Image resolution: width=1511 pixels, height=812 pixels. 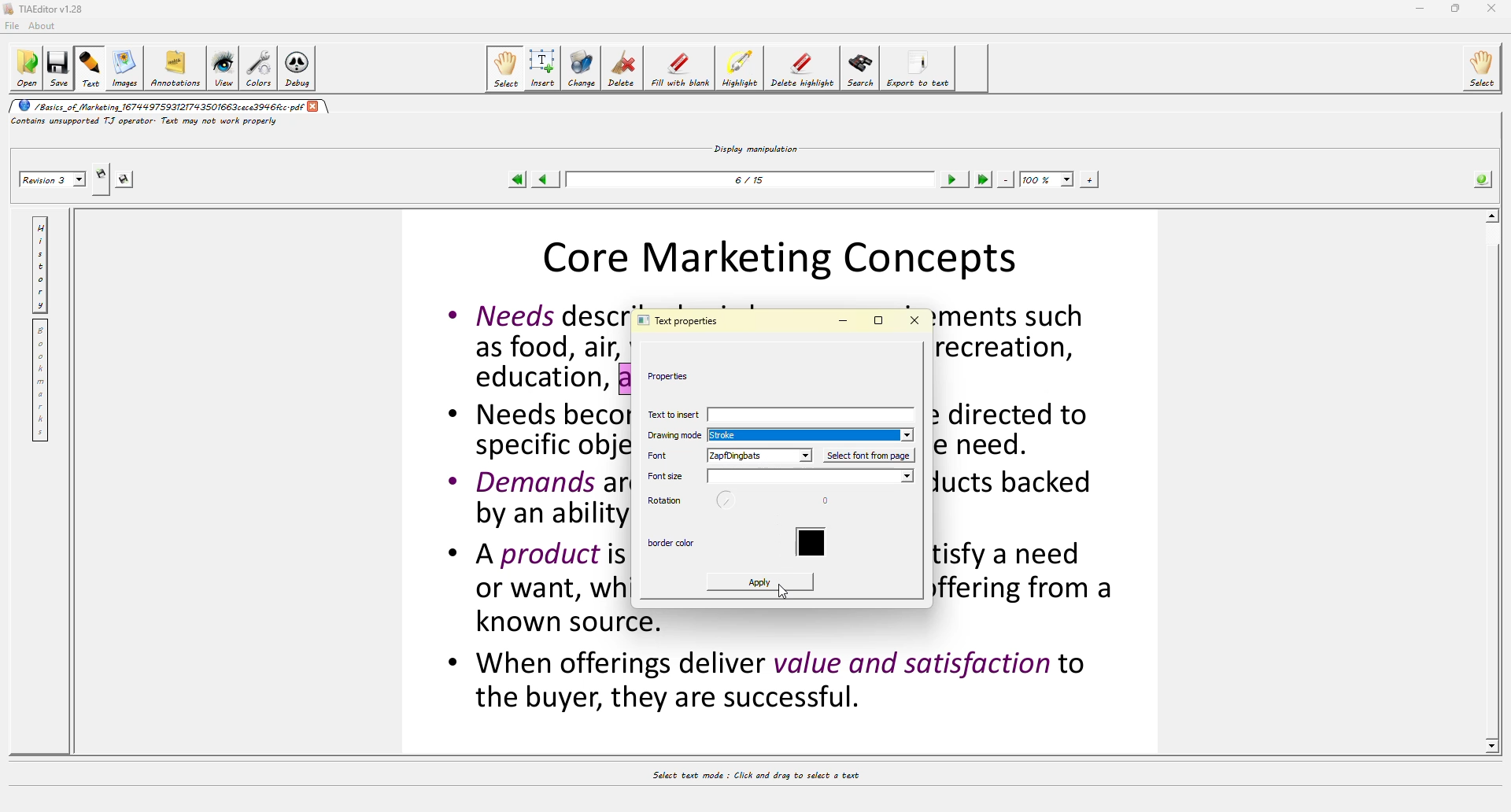 I want to click on scroll up, so click(x=1489, y=215).